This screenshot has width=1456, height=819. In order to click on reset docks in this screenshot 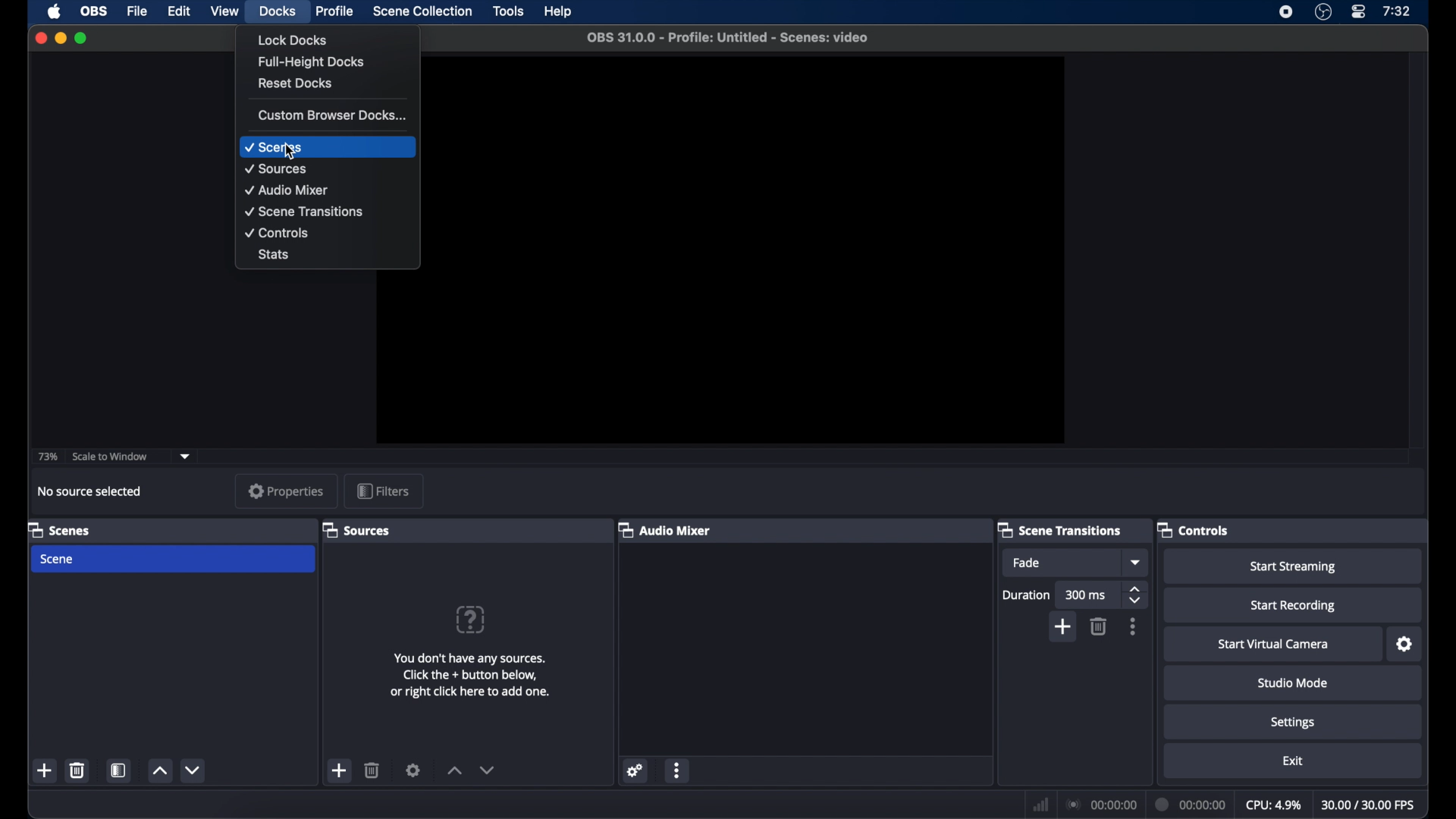, I will do `click(296, 83)`.